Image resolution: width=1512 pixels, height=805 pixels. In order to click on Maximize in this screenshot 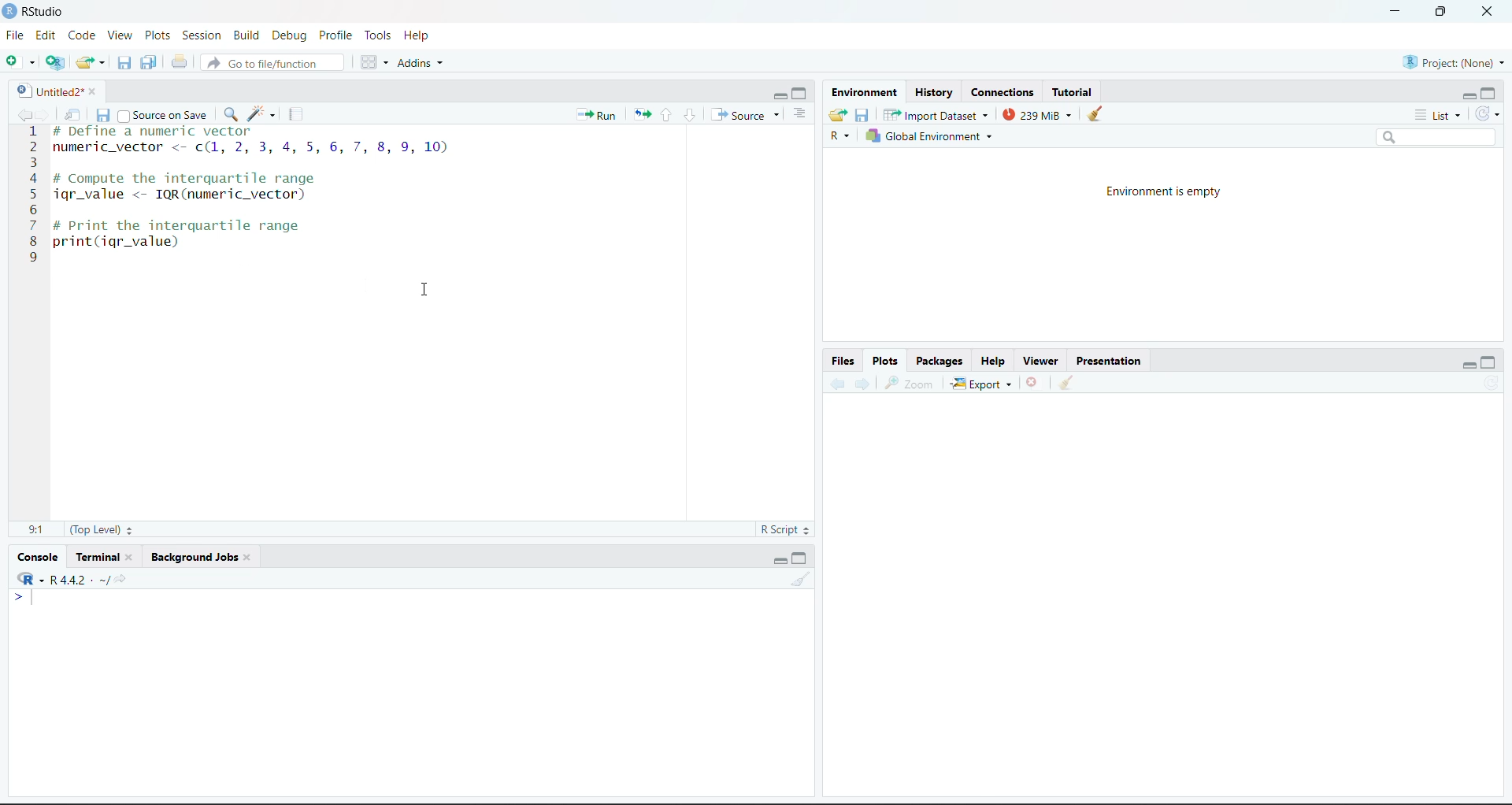, I will do `click(1492, 362)`.